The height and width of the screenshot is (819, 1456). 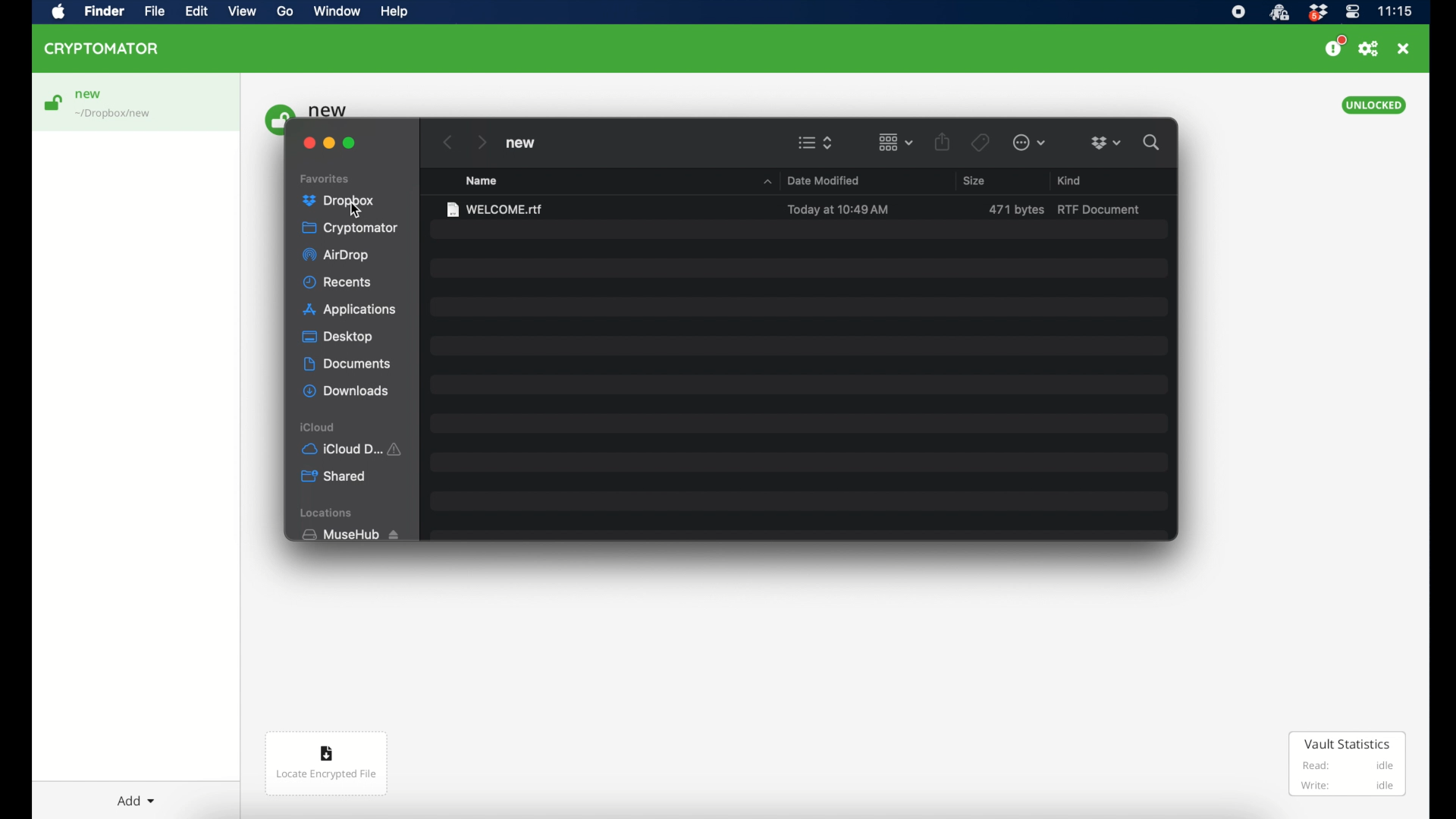 I want to click on share, so click(x=942, y=141).